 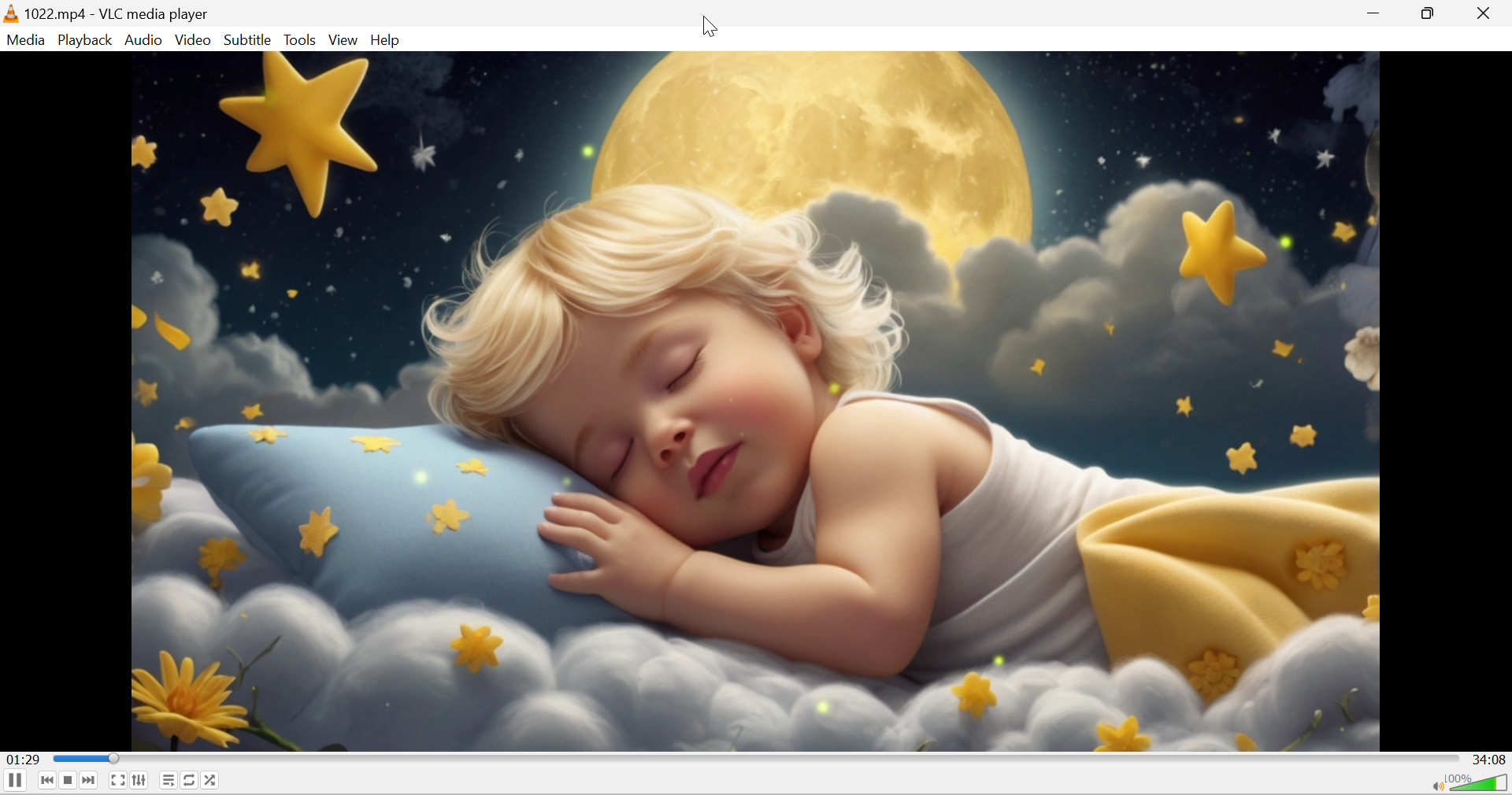 I want to click on Random, so click(x=212, y=780).